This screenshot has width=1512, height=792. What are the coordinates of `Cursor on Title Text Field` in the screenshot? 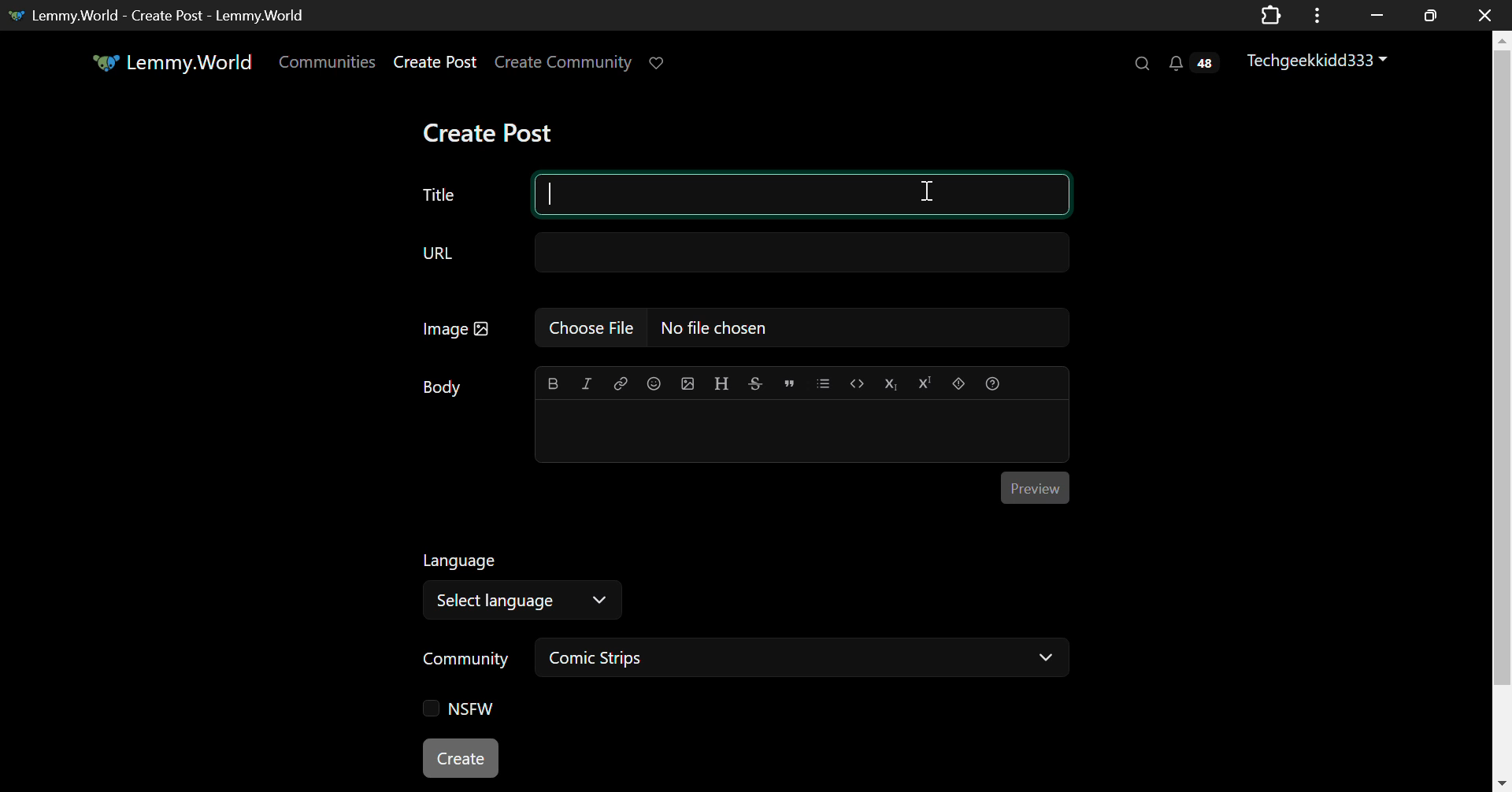 It's located at (931, 196).